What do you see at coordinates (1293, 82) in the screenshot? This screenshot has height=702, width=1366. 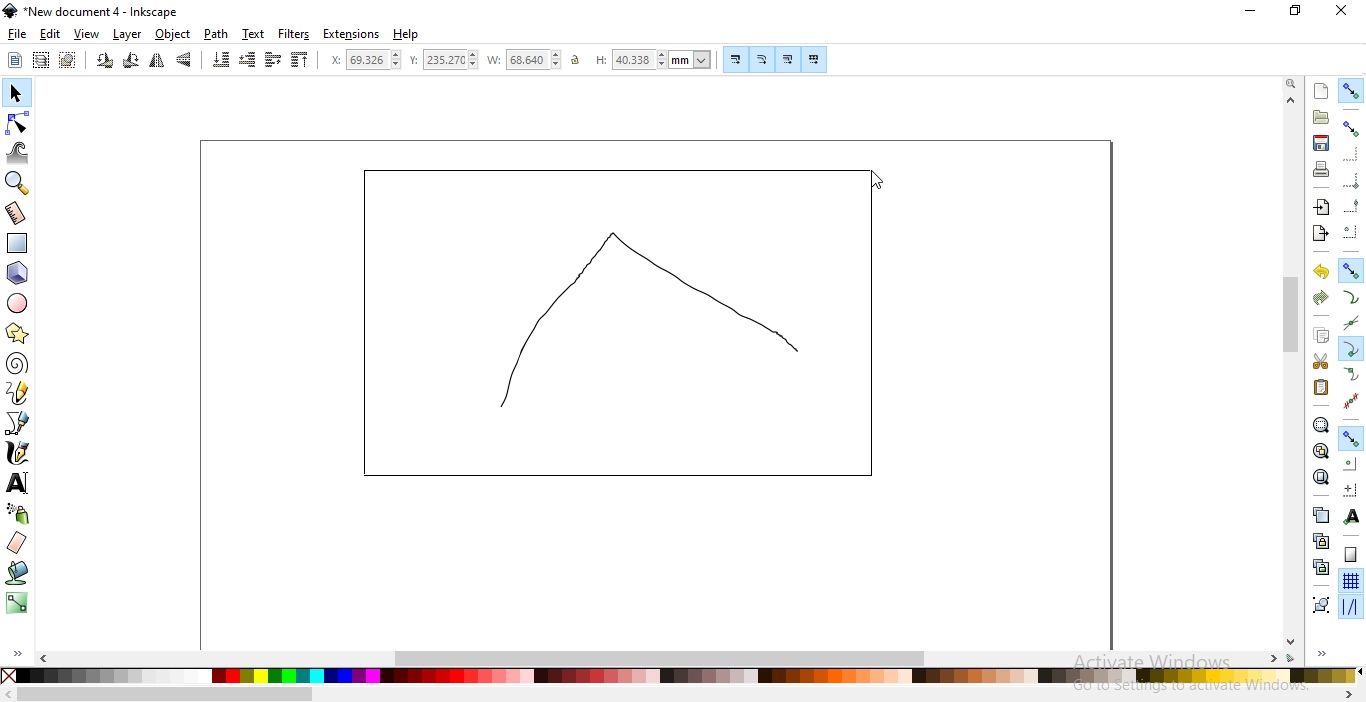 I see `zoom` at bounding box center [1293, 82].